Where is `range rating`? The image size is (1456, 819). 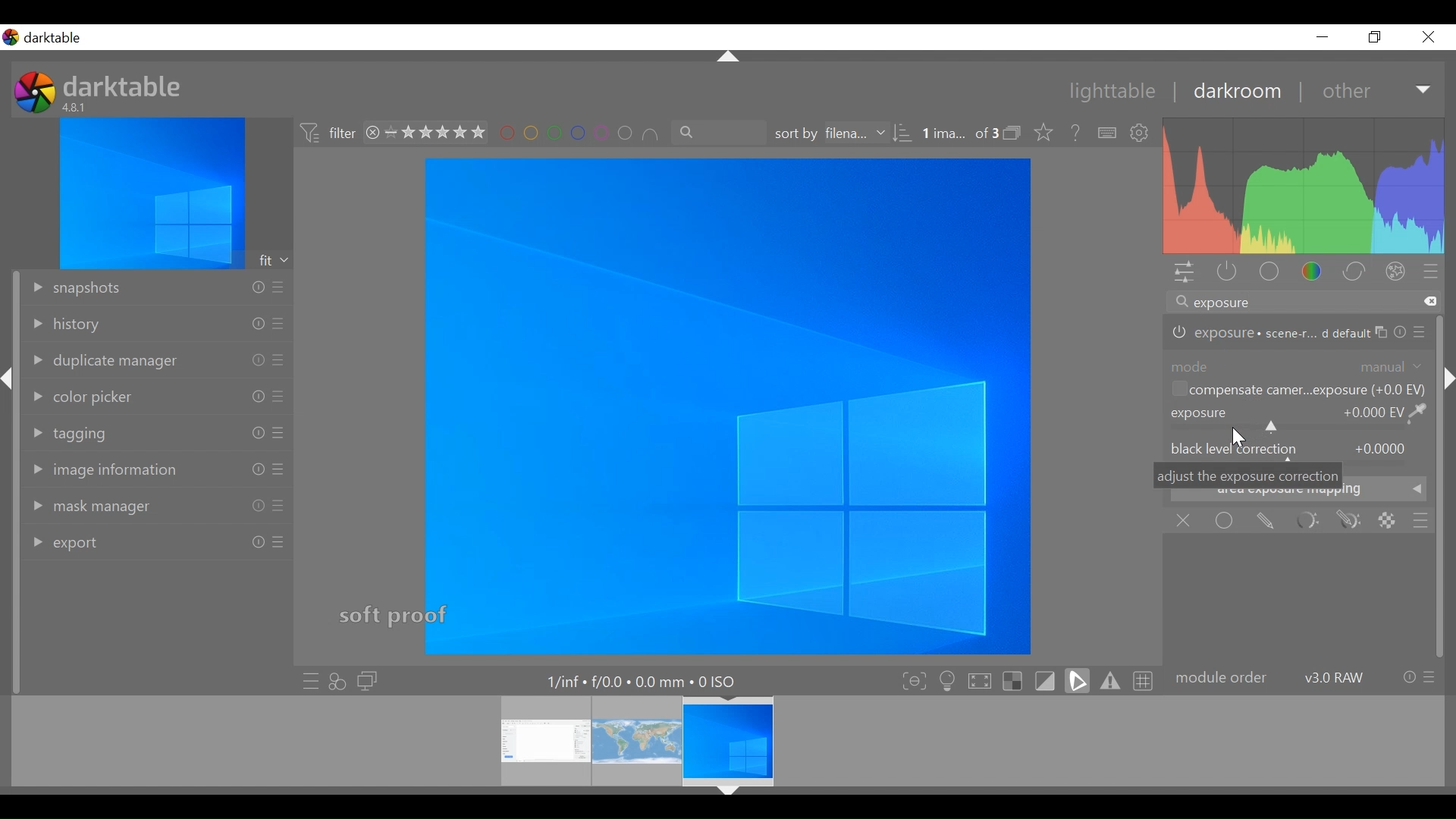 range rating is located at coordinates (436, 133).